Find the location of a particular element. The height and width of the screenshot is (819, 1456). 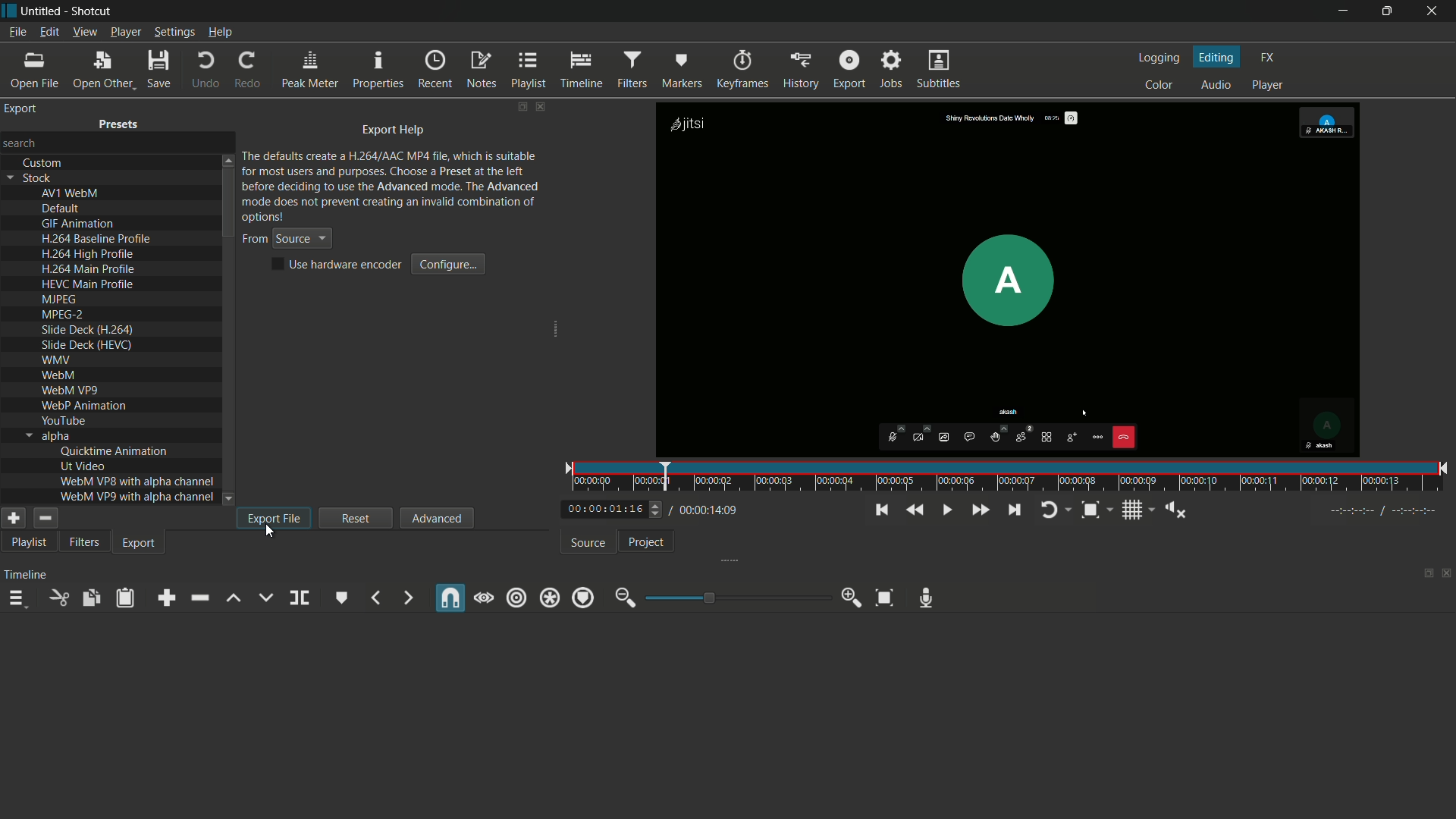

undo is located at coordinates (206, 71).